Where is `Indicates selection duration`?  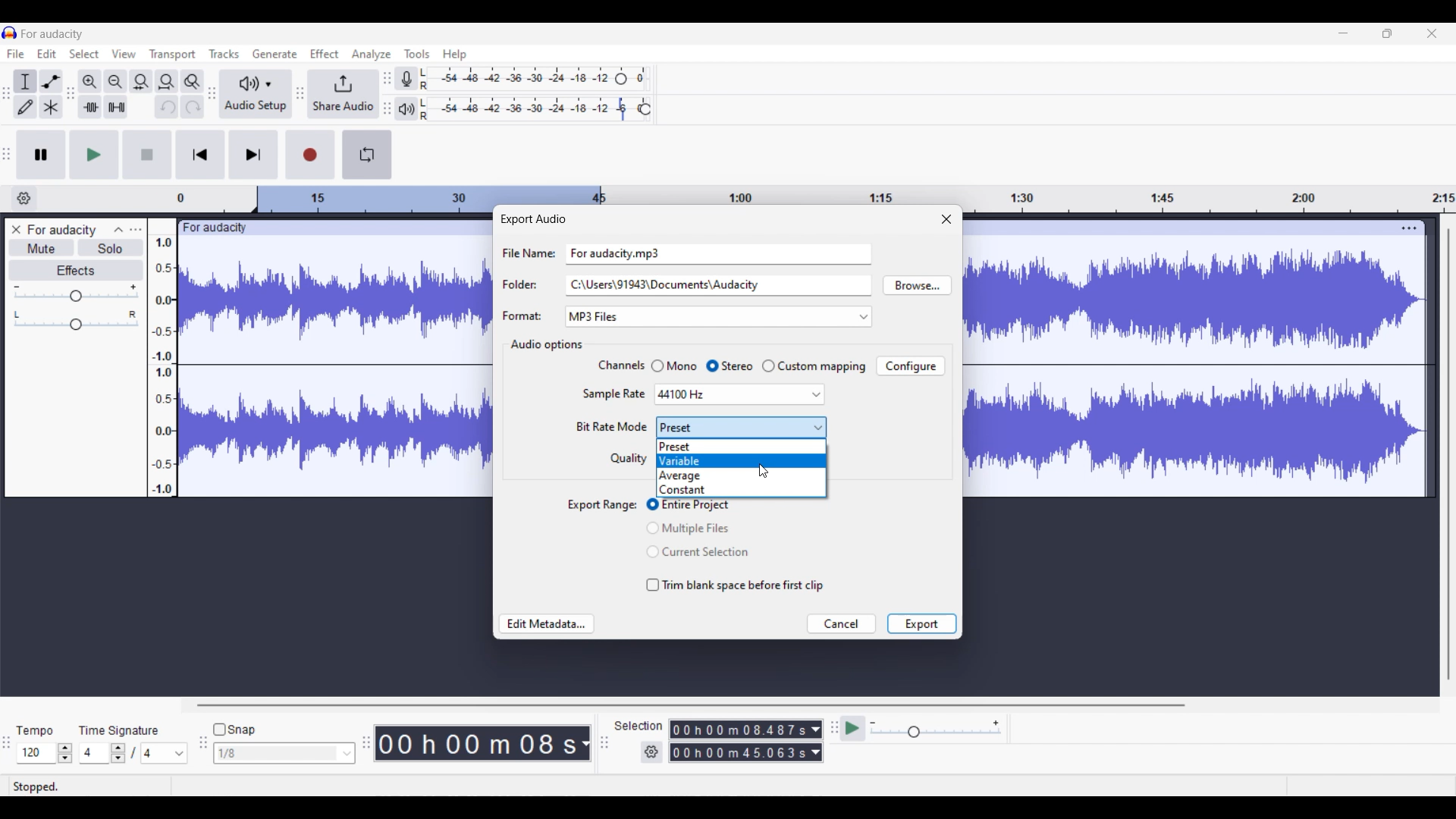
Indicates selection duration is located at coordinates (639, 726).